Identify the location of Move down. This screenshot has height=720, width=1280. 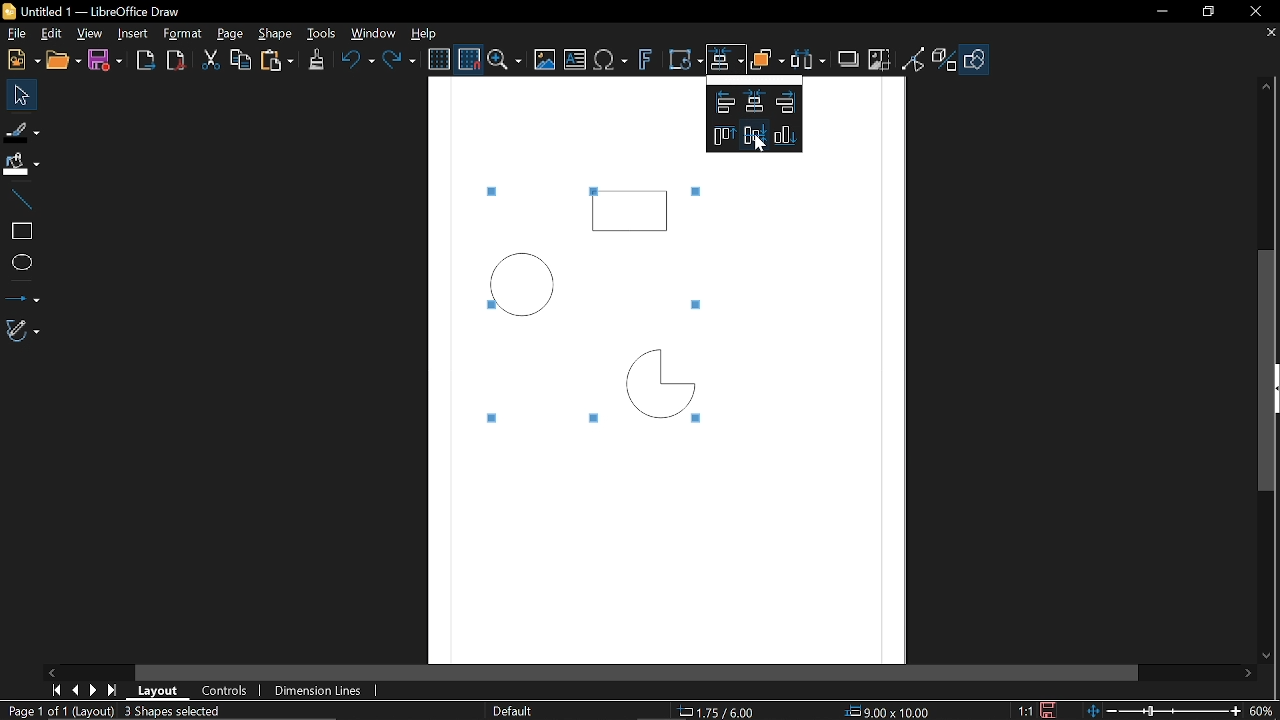
(1269, 656).